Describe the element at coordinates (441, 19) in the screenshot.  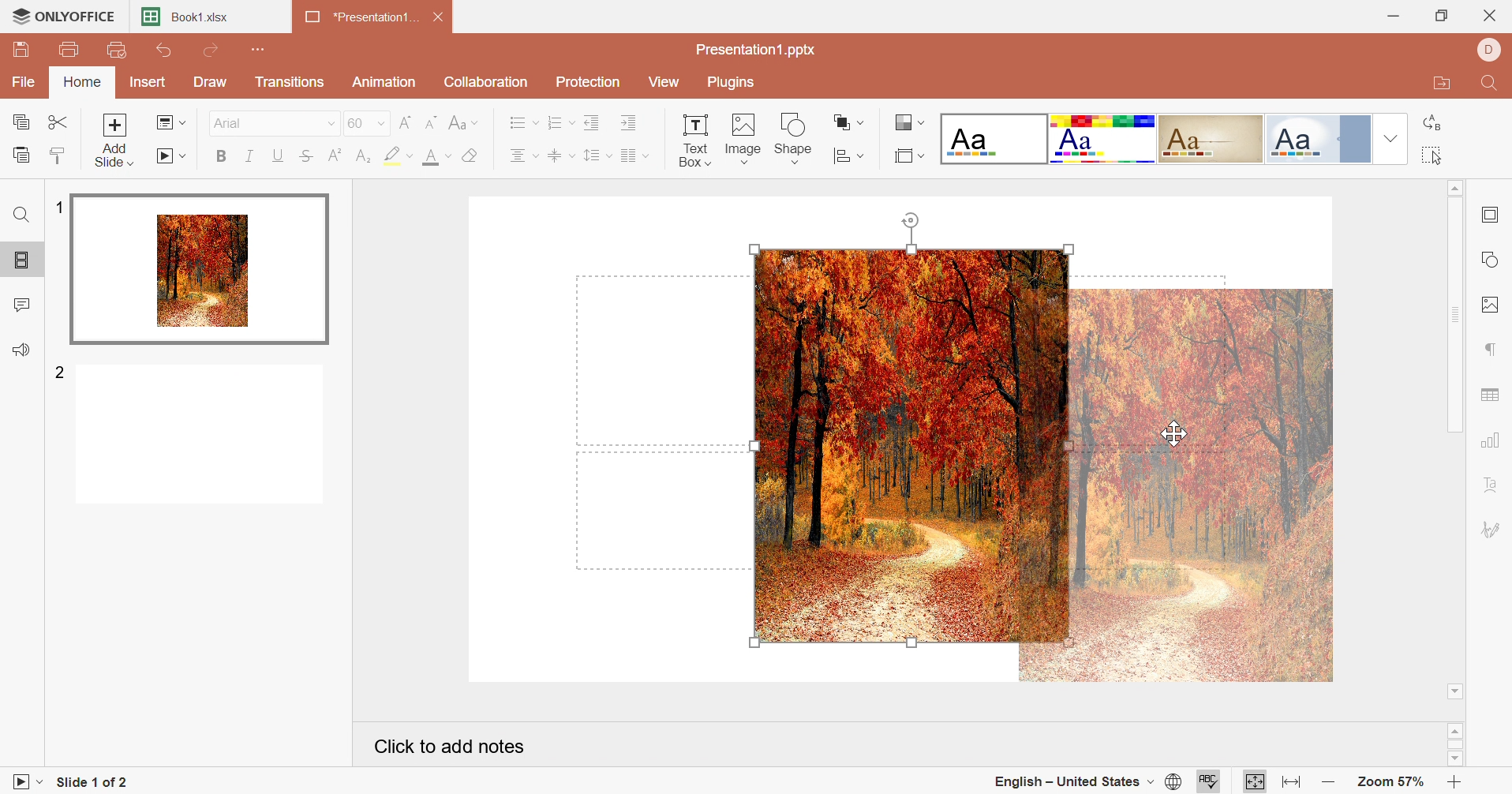
I see `Close` at that location.